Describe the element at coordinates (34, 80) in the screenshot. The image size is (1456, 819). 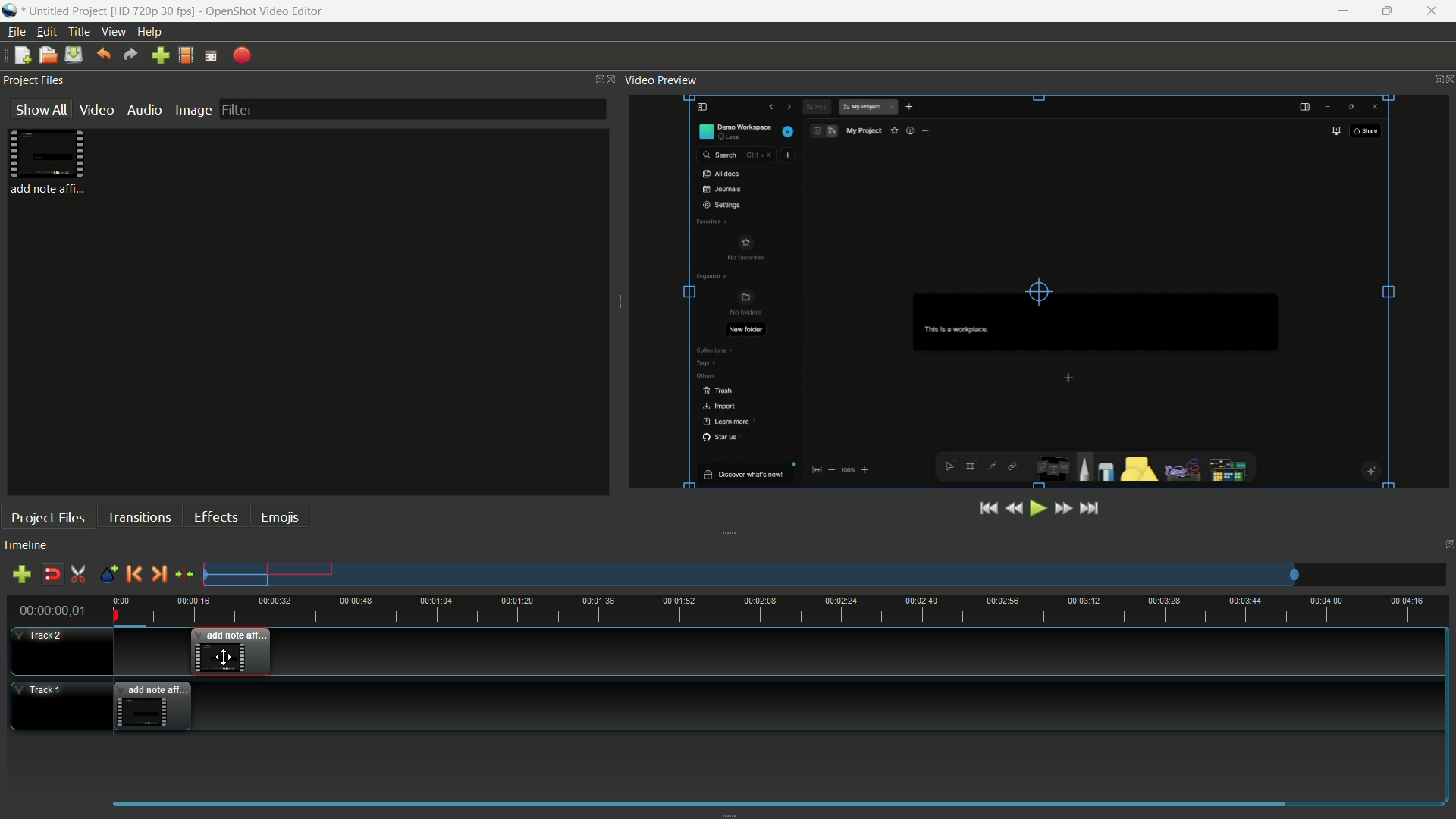
I see `project files` at that location.